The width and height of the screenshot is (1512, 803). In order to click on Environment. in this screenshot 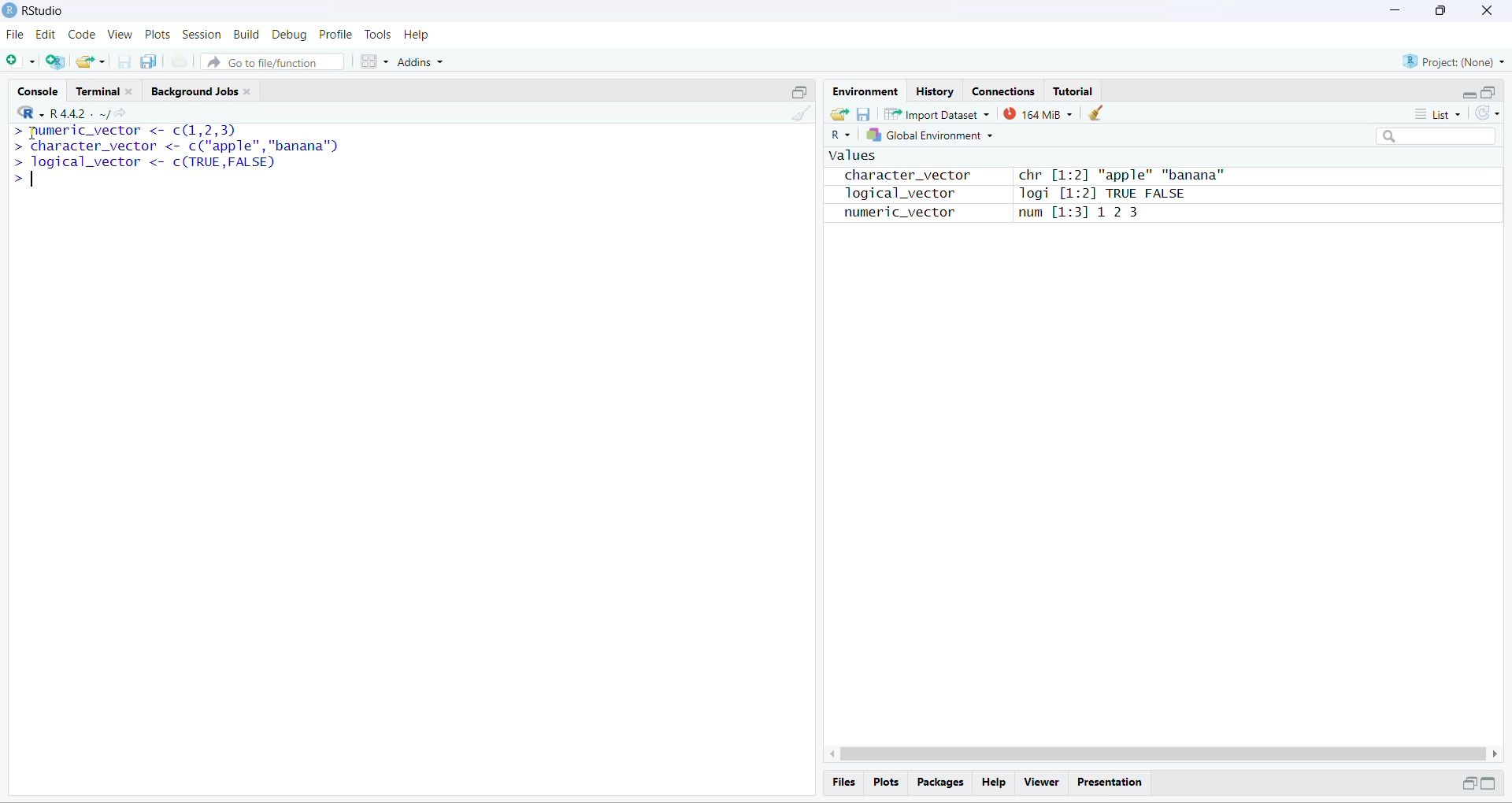, I will do `click(864, 91)`.